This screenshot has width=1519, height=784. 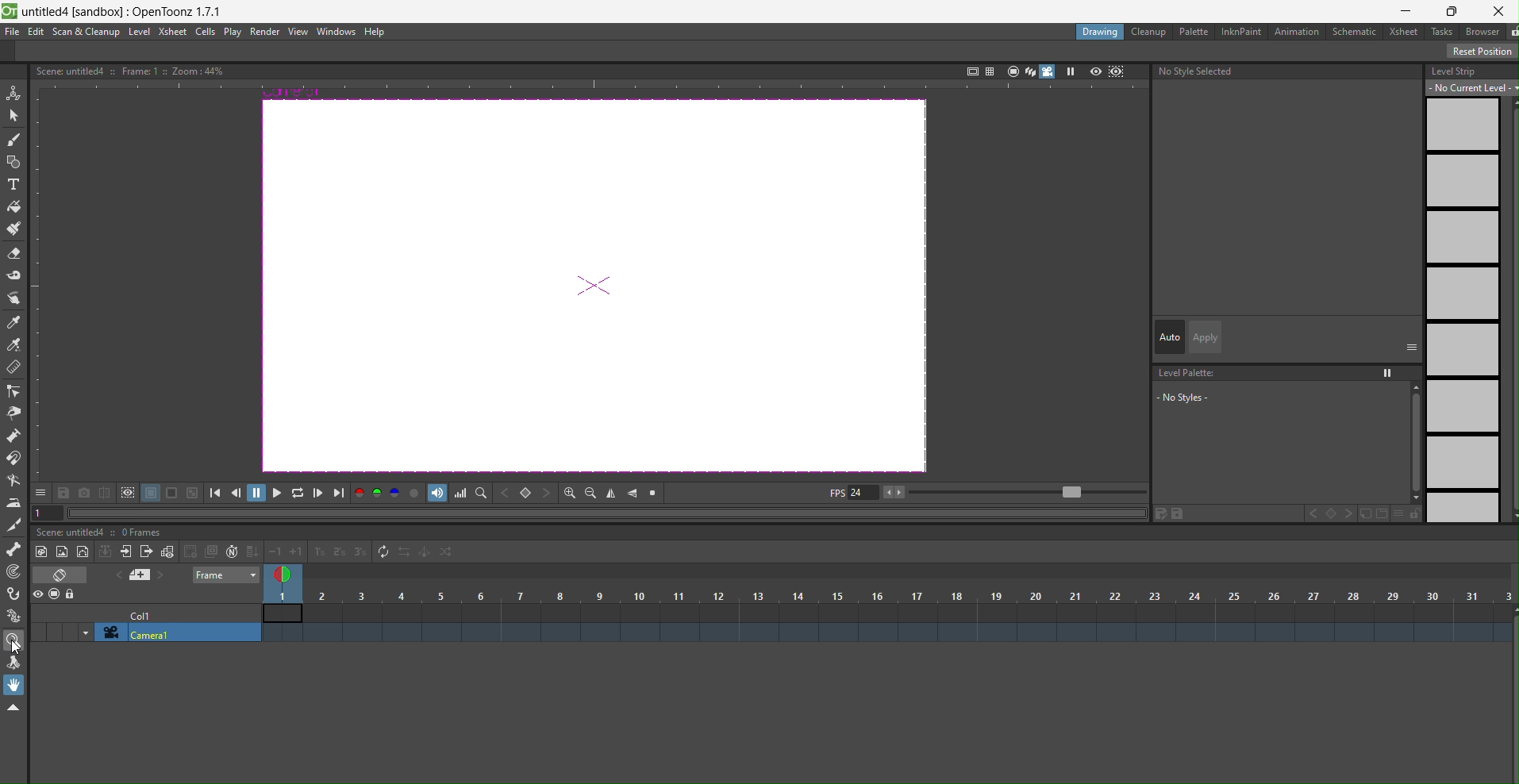 What do you see at coordinates (1509, 32) in the screenshot?
I see `unlocked` at bounding box center [1509, 32].